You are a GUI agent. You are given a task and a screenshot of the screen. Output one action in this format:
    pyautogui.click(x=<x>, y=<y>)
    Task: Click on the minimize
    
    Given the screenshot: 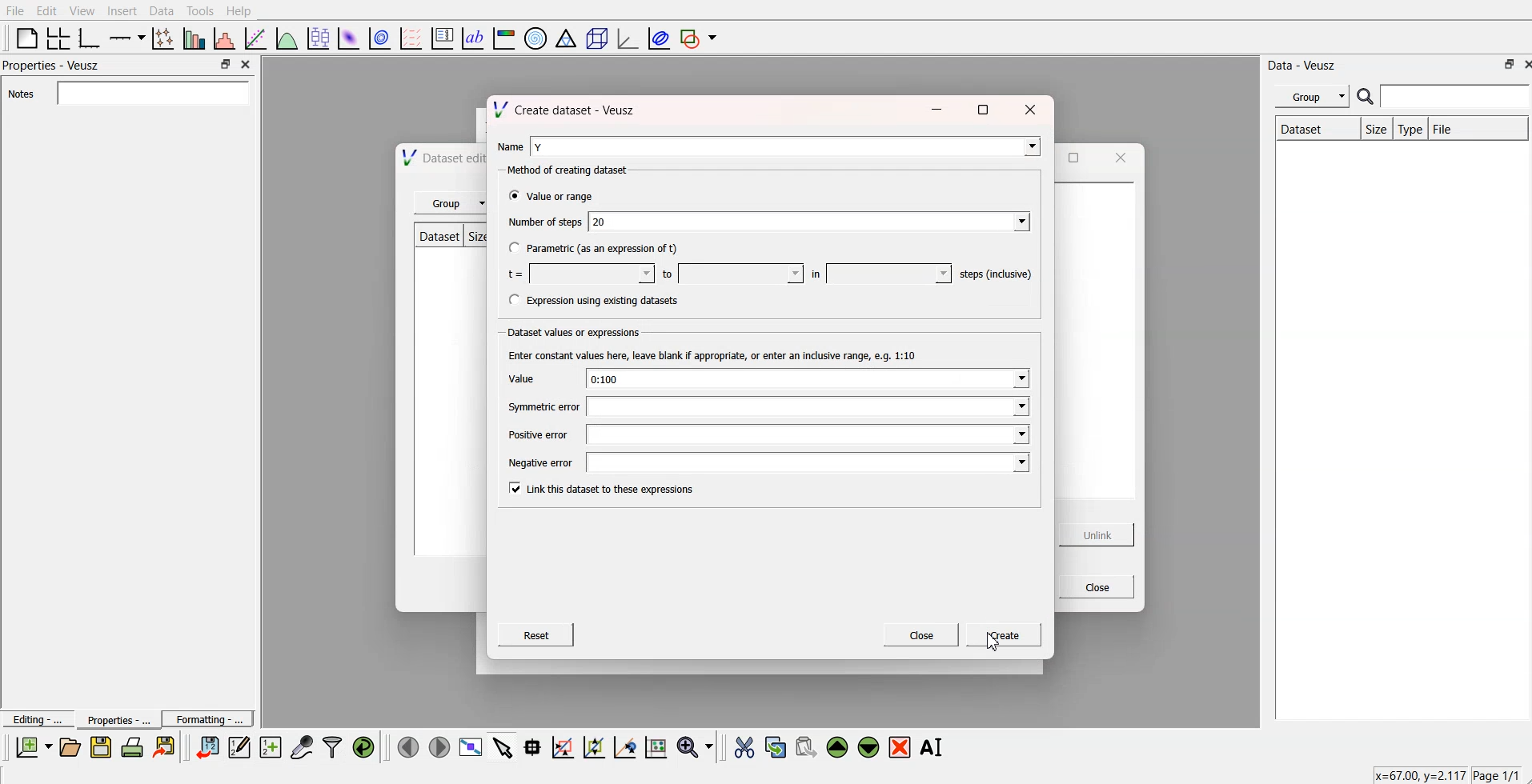 What is the action you would take?
    pyautogui.click(x=935, y=113)
    